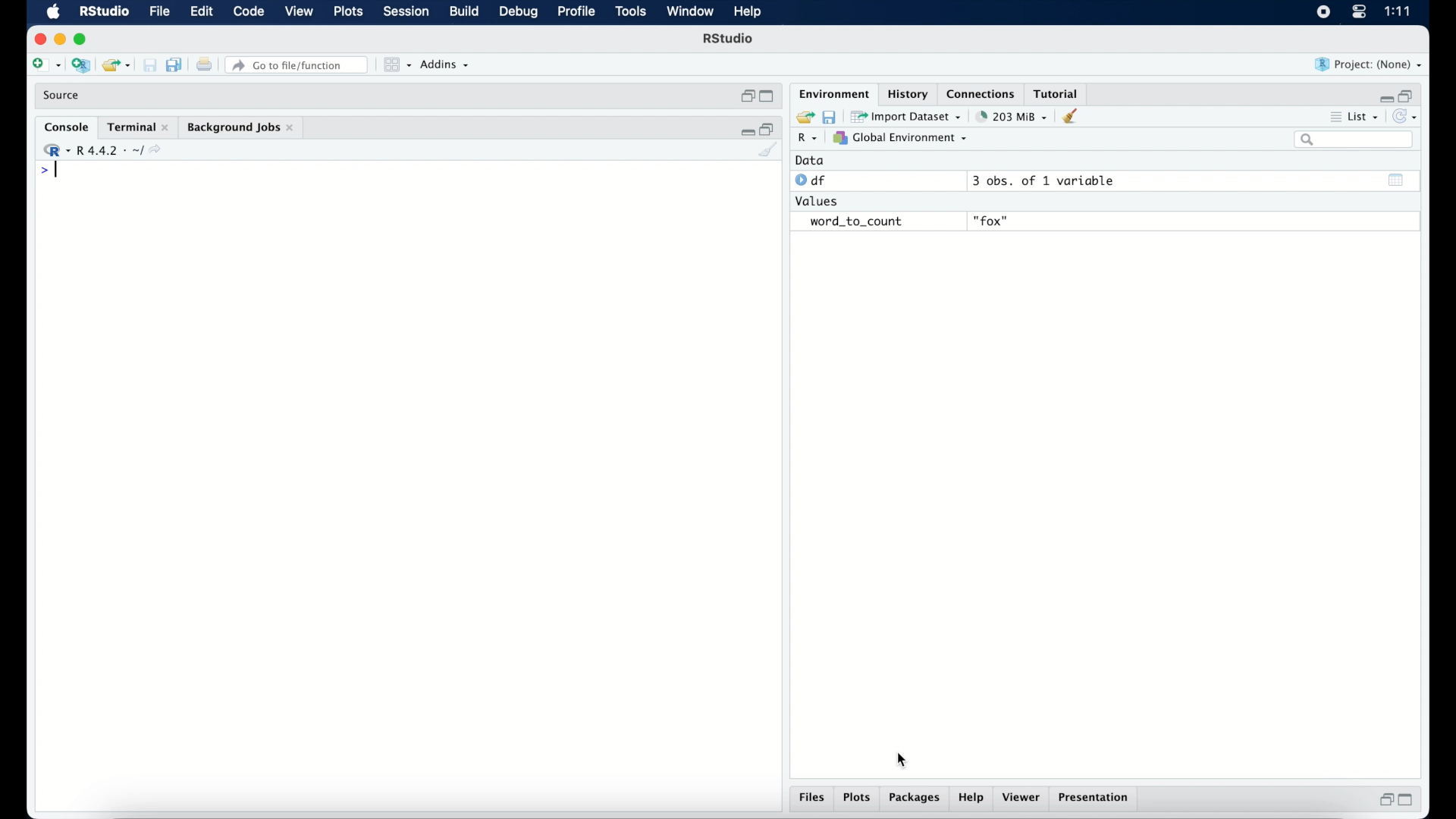  I want to click on print, so click(204, 66).